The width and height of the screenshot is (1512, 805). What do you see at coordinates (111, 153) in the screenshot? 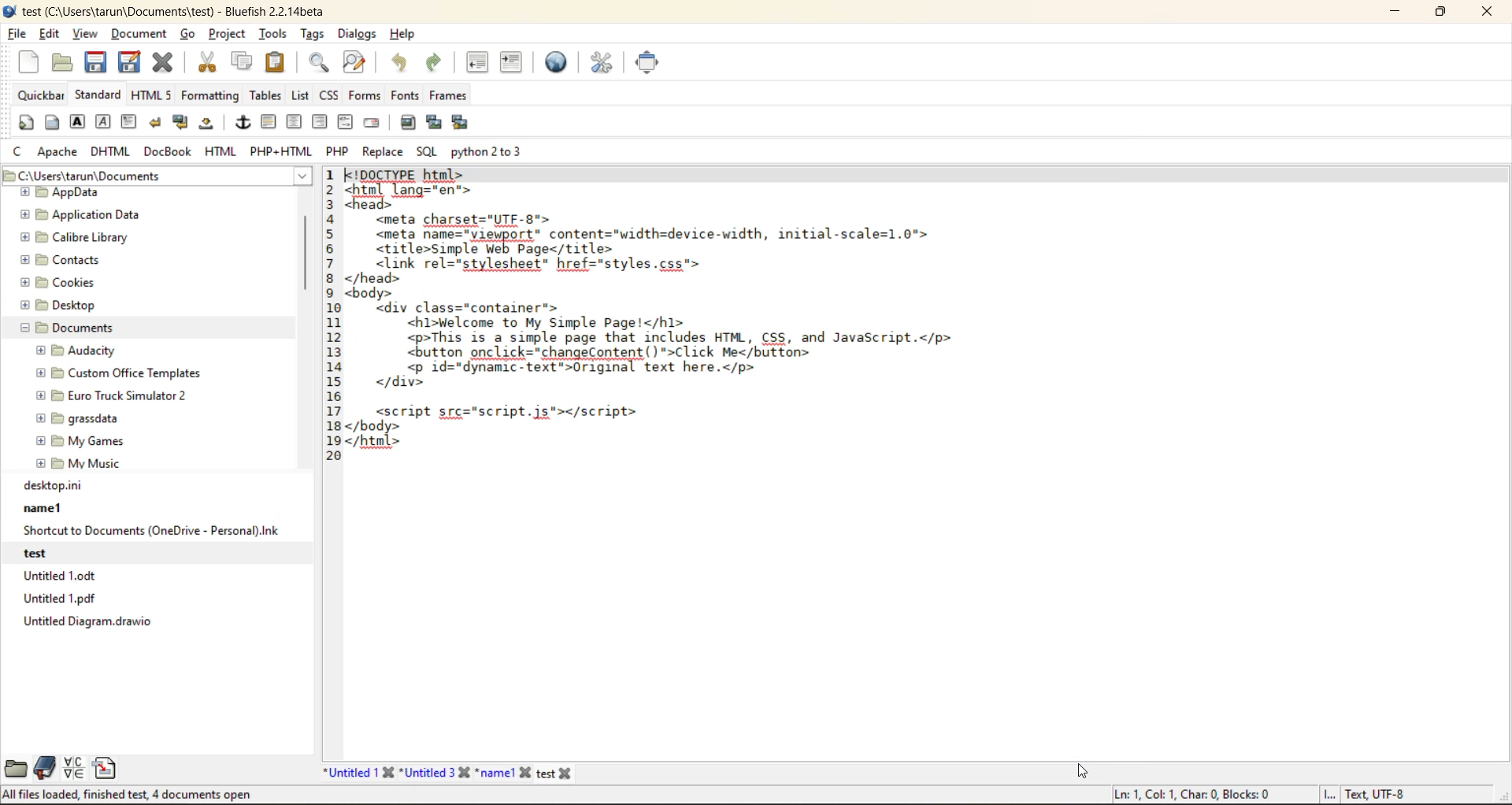
I see `dhtml` at bounding box center [111, 153].